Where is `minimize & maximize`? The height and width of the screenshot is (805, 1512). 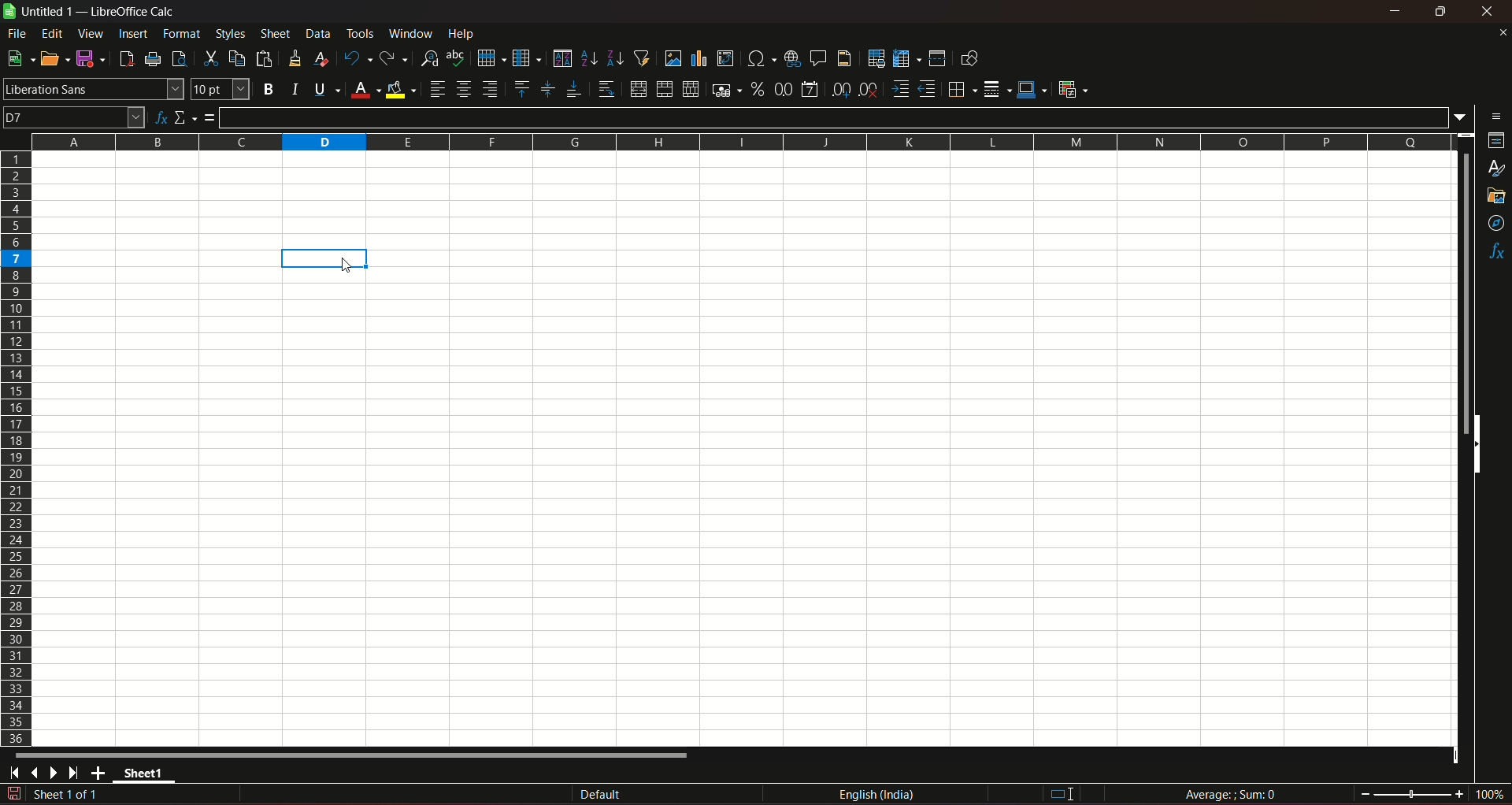
minimize & maximize is located at coordinates (1440, 12).